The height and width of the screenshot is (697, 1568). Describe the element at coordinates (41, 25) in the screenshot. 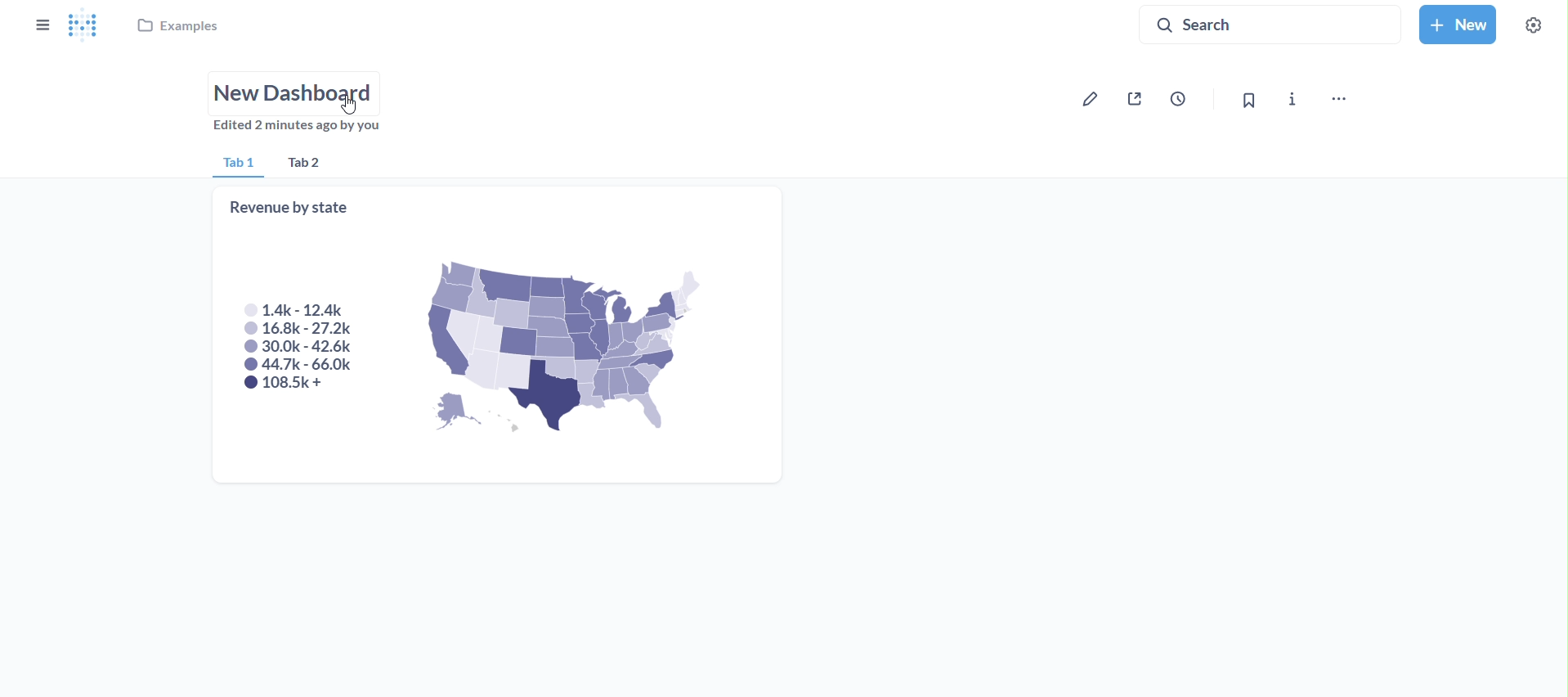

I see `close sidebar` at that location.